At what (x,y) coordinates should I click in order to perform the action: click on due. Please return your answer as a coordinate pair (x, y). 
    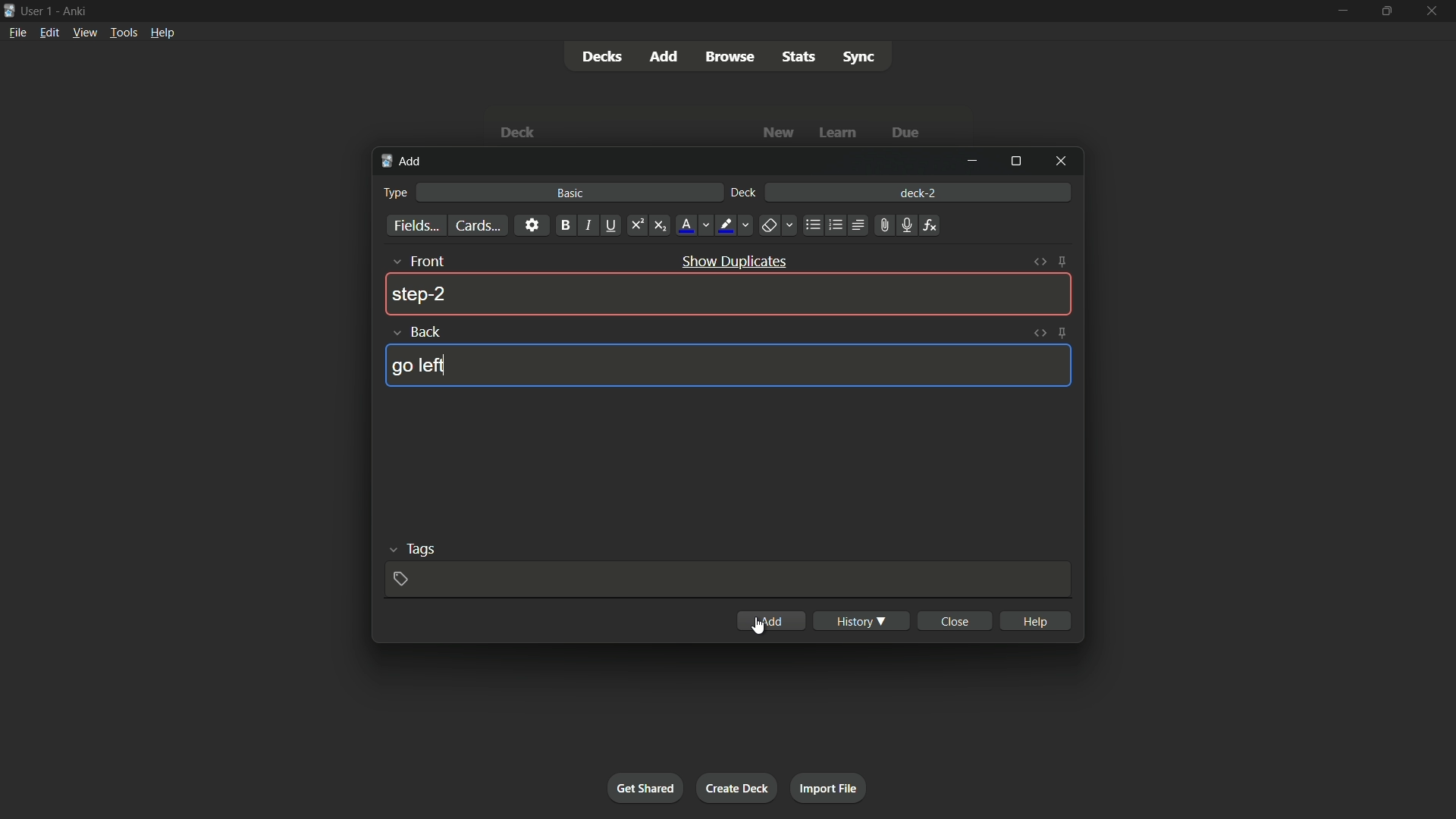
    Looking at the image, I should click on (903, 133).